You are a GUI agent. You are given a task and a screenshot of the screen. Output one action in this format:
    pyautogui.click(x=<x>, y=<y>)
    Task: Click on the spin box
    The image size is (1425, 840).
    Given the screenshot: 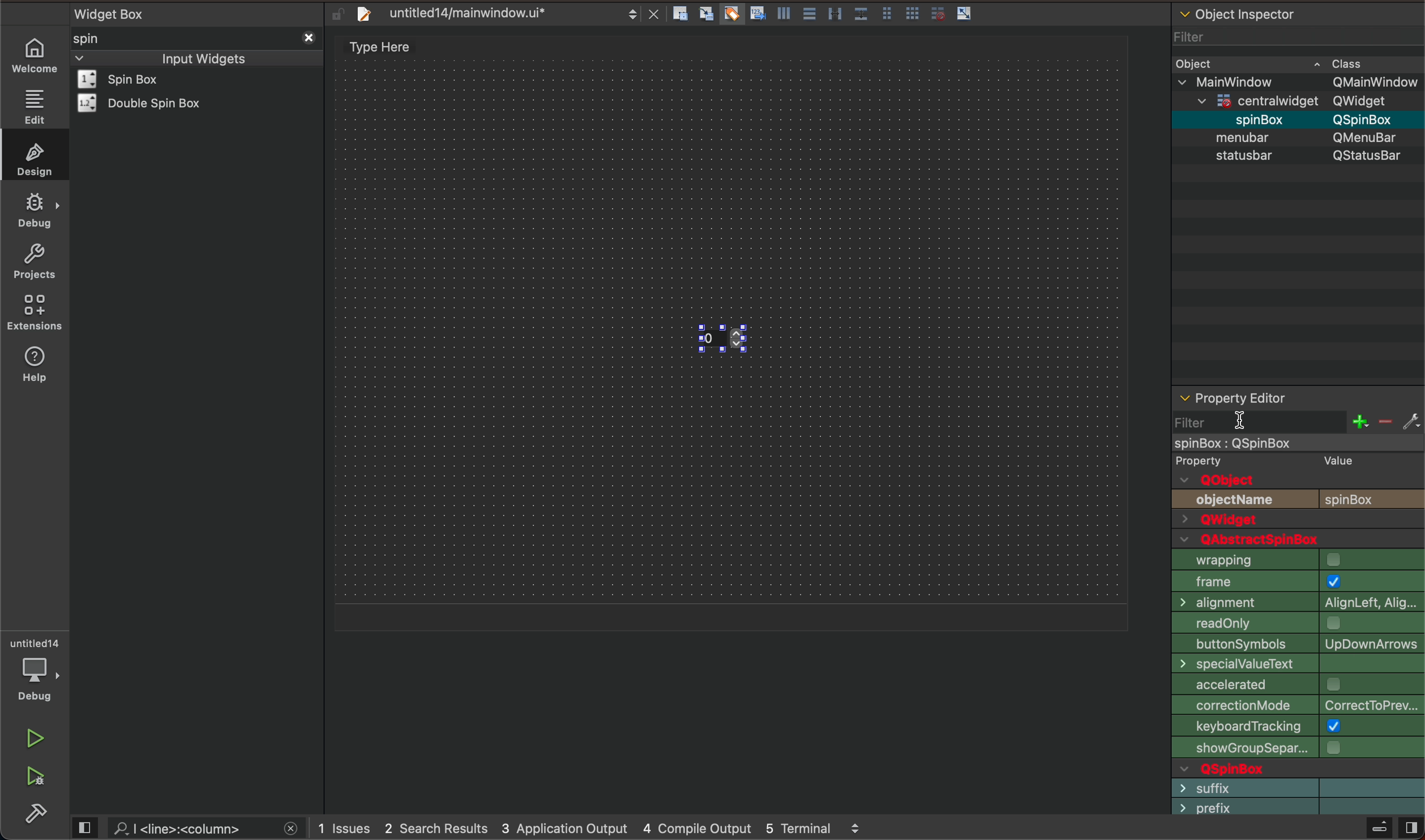 What is the action you would take?
    pyautogui.click(x=1250, y=119)
    